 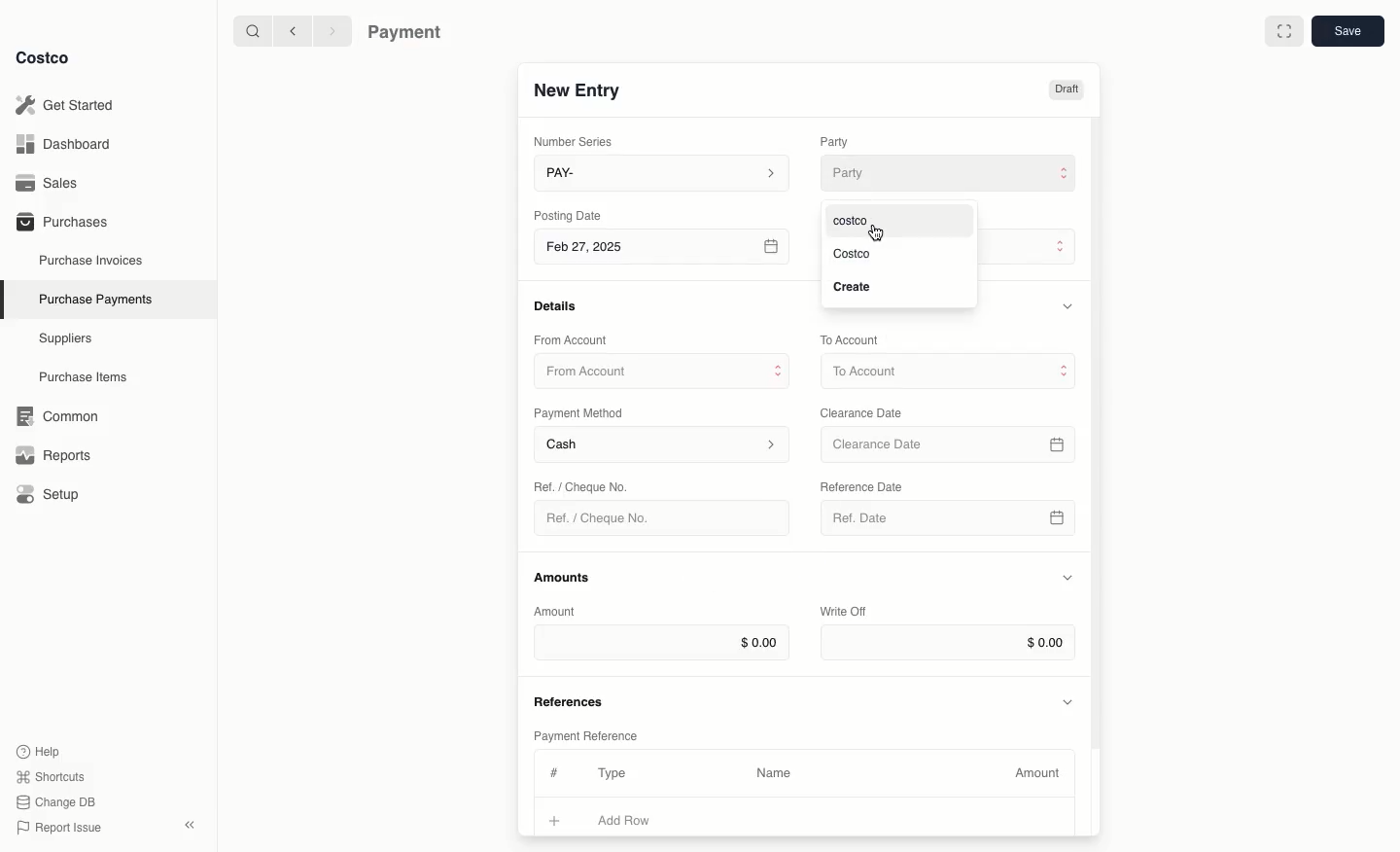 What do you see at coordinates (94, 298) in the screenshot?
I see `Purchase Payments` at bounding box center [94, 298].